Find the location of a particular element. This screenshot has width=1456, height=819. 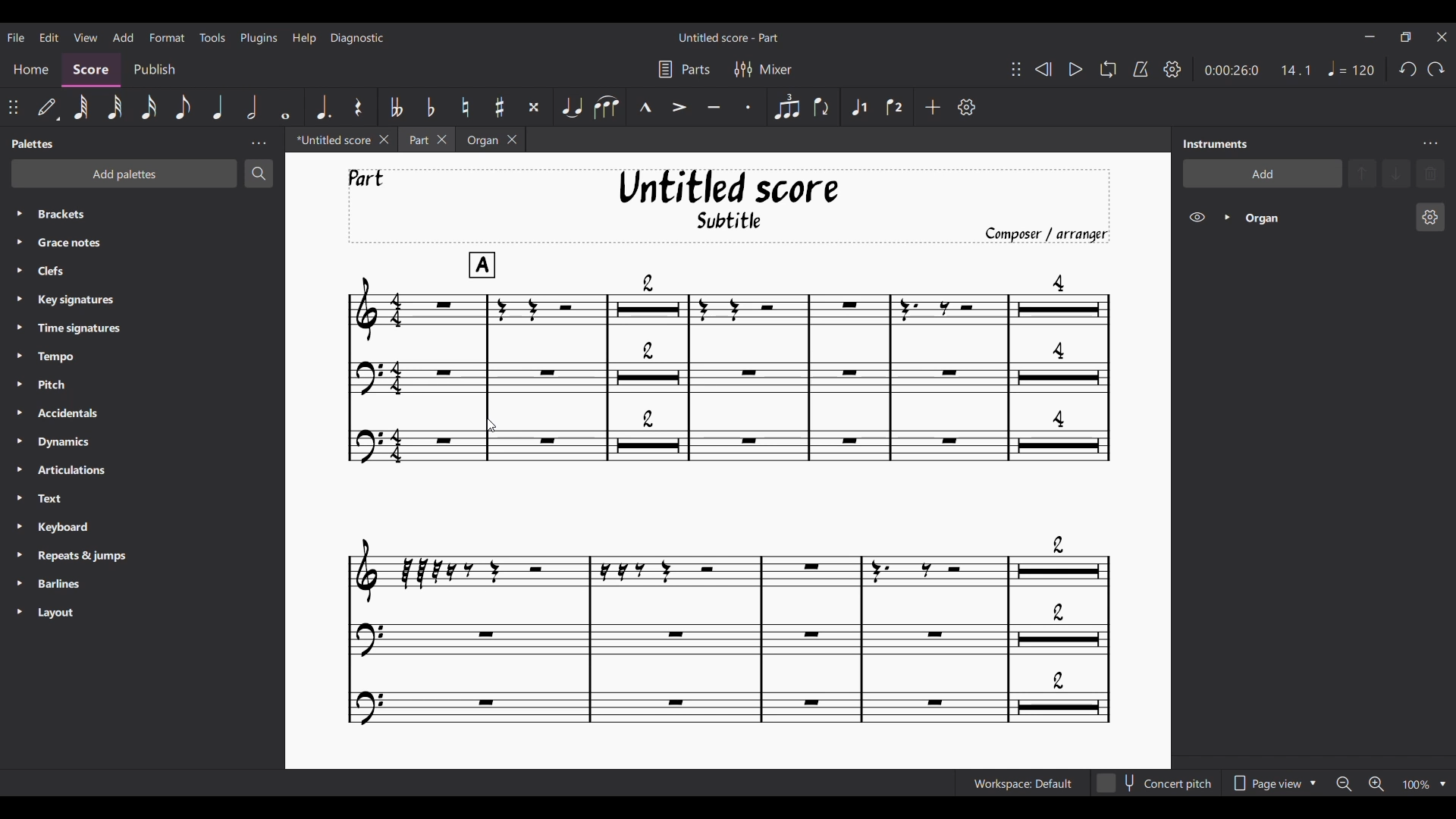

Rest is located at coordinates (358, 107).